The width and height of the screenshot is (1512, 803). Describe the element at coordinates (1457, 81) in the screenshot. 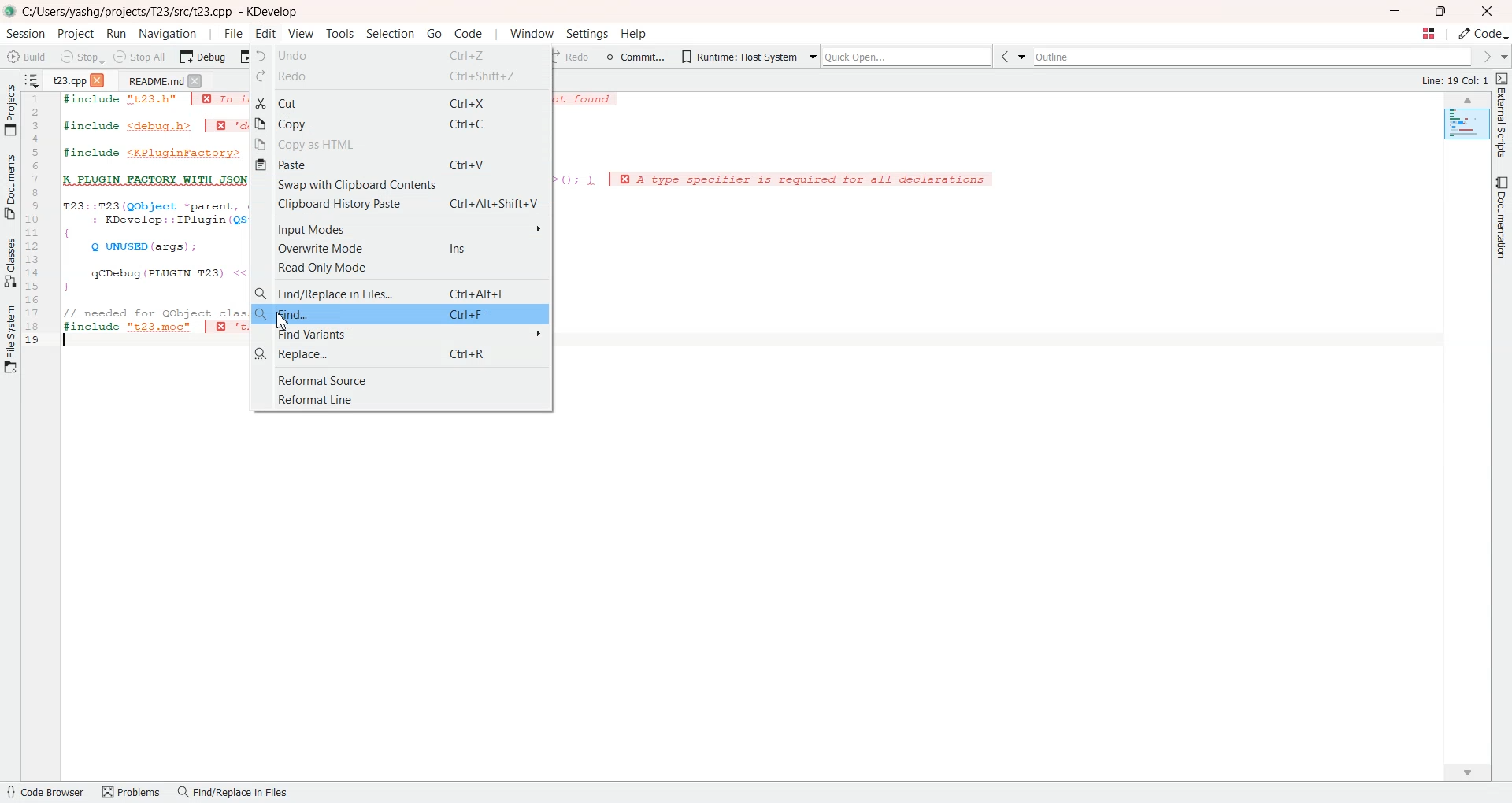

I see `Line: 19 Col 1` at that location.